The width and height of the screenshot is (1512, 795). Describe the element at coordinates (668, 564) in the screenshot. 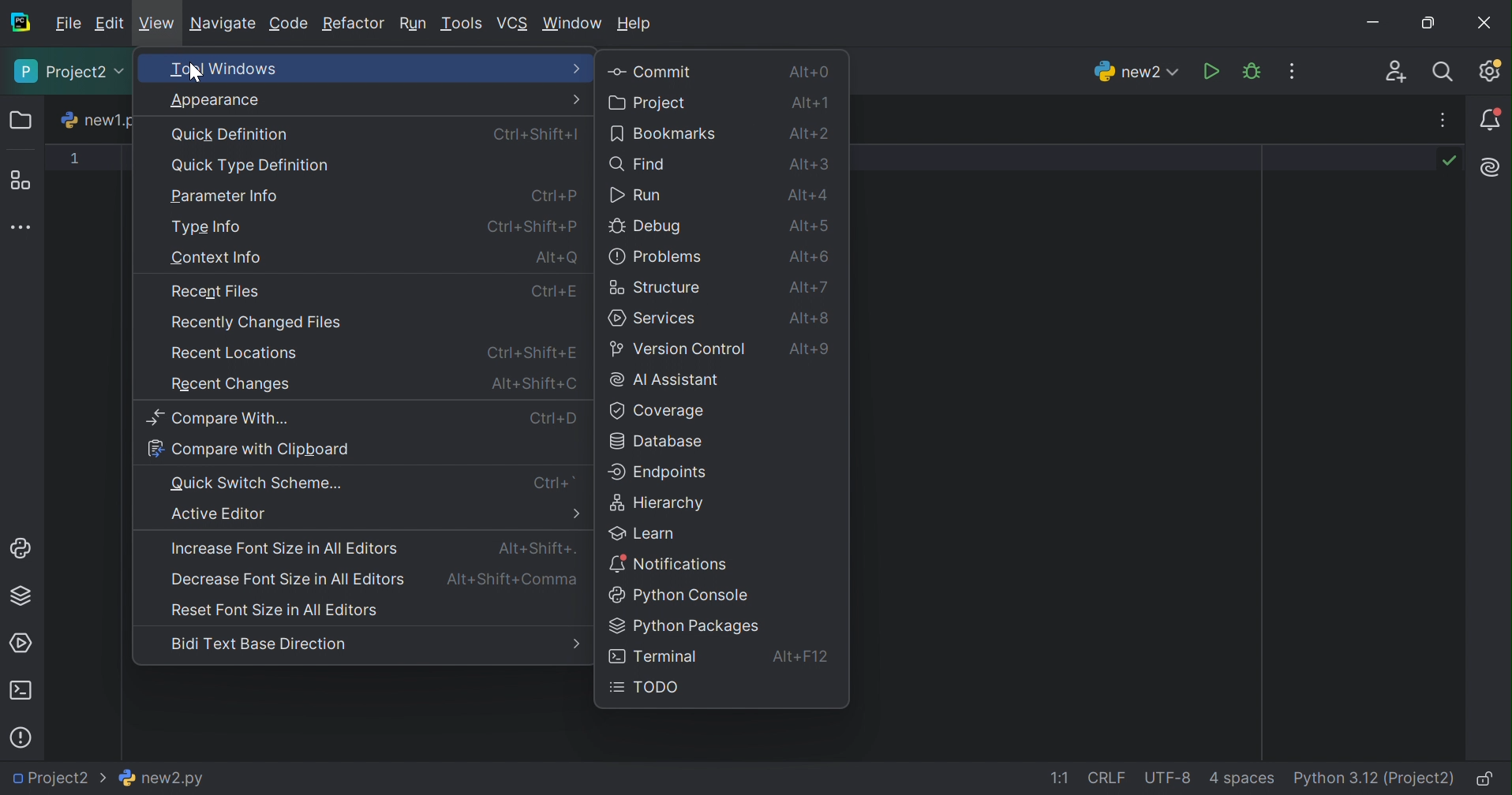

I see `Notifications` at that location.